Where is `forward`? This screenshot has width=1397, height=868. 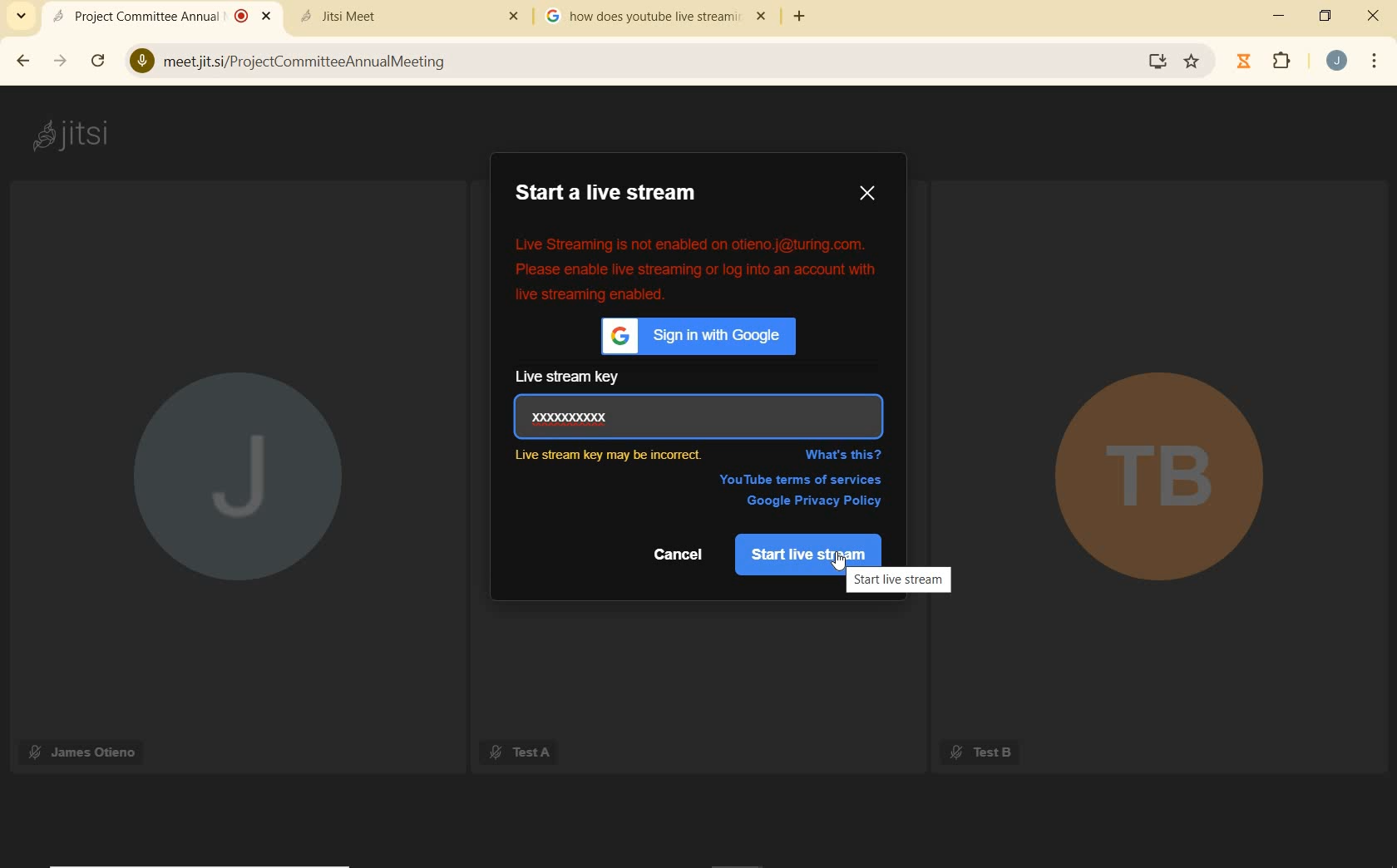
forward is located at coordinates (60, 60).